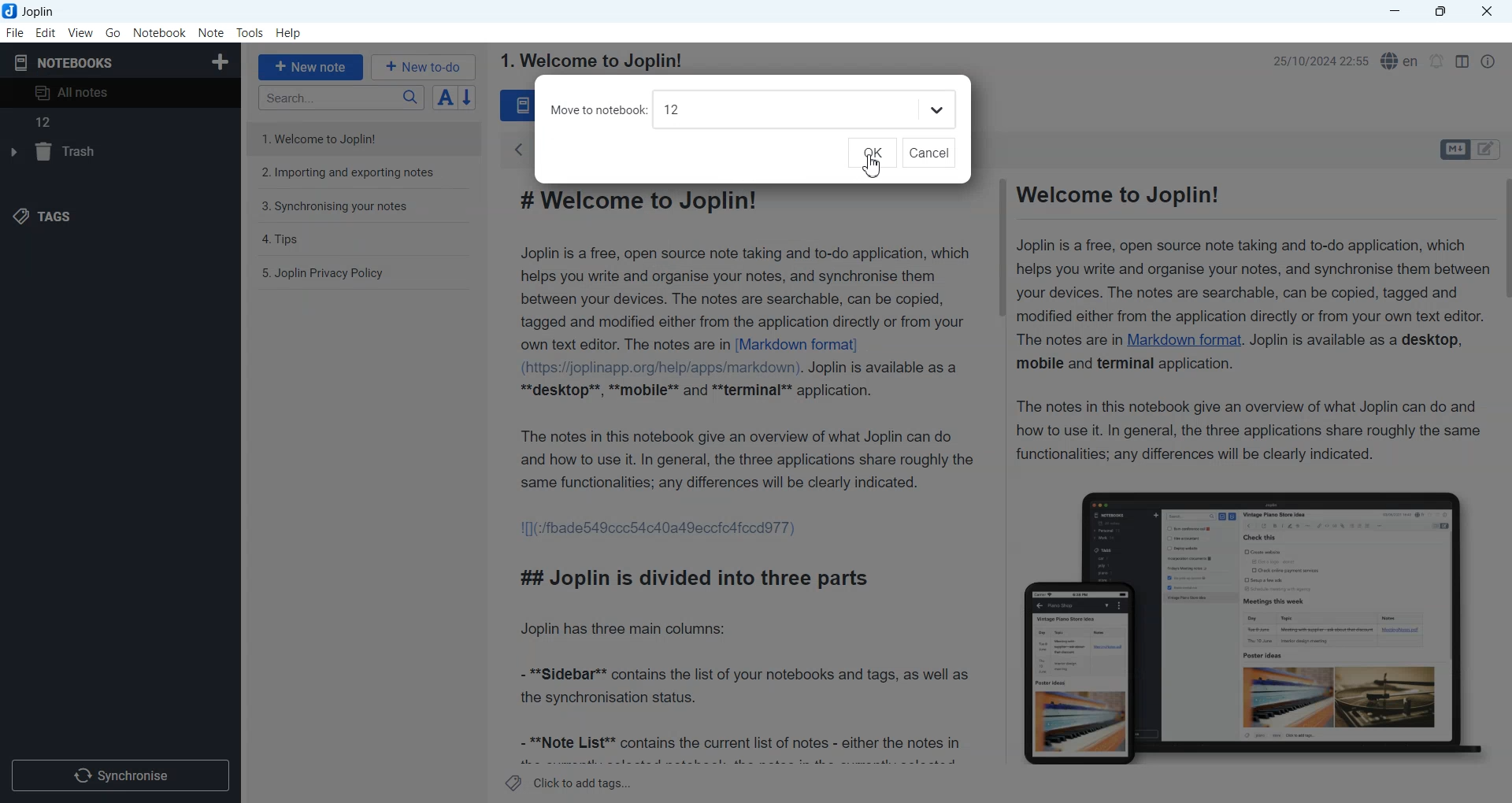 The height and width of the screenshot is (803, 1512). Describe the element at coordinates (929, 153) in the screenshot. I see `Cancel` at that location.